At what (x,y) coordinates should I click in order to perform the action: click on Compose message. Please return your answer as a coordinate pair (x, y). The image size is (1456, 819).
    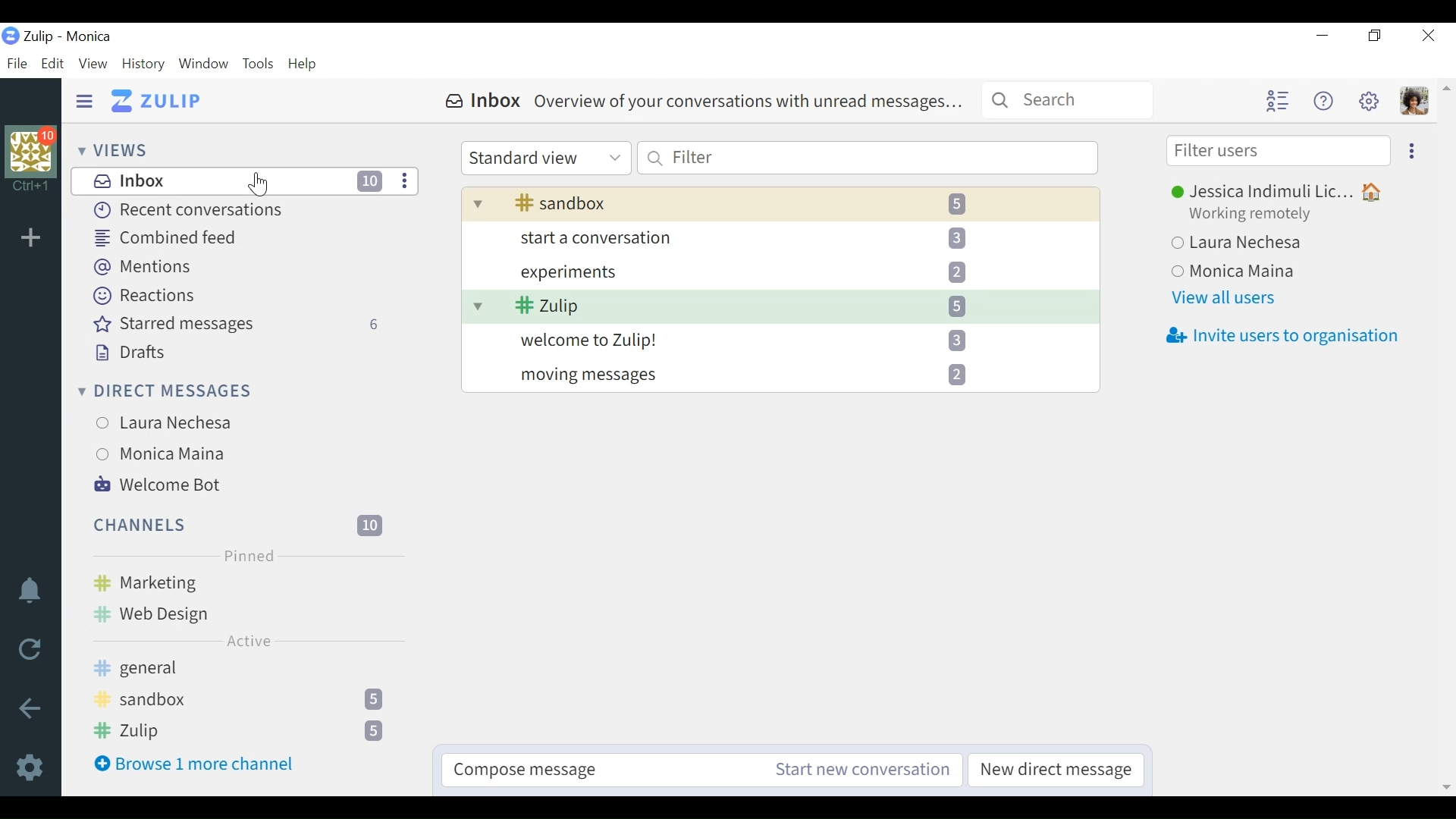
    Looking at the image, I should click on (593, 770).